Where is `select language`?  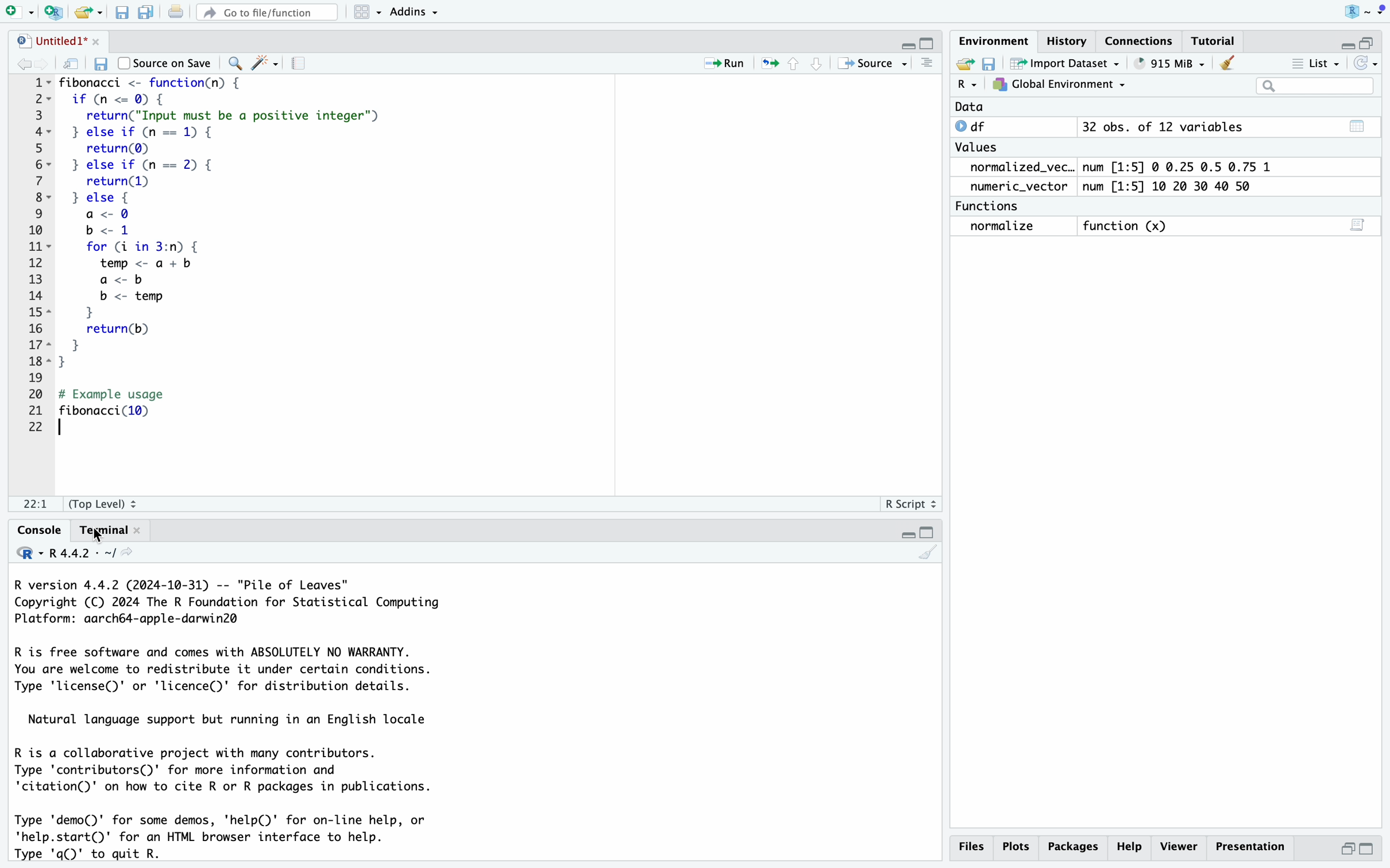
select language is located at coordinates (22, 555).